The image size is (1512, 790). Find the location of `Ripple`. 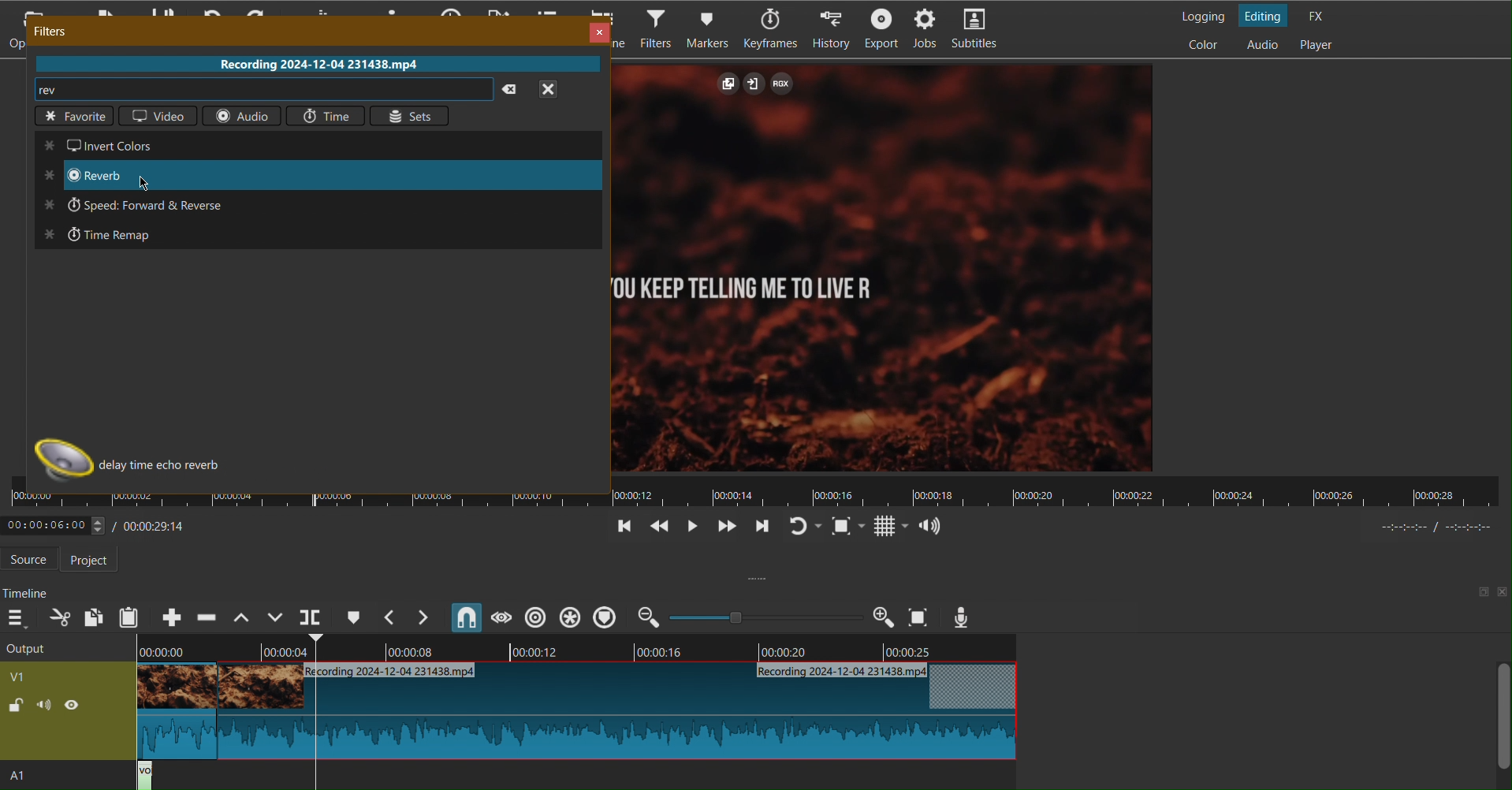

Ripple is located at coordinates (574, 617).